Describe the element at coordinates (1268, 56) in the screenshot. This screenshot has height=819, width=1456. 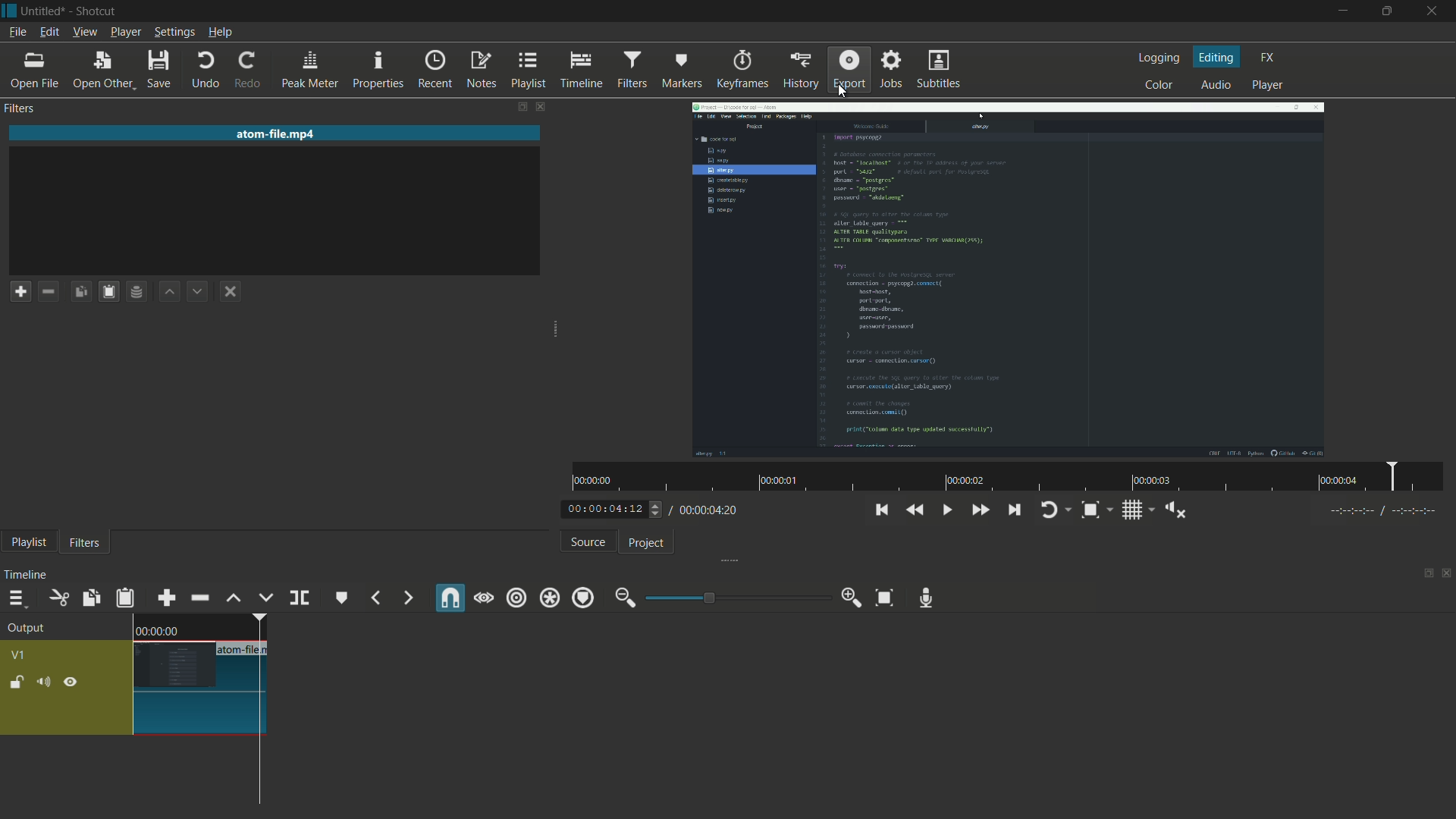
I see `fx` at that location.